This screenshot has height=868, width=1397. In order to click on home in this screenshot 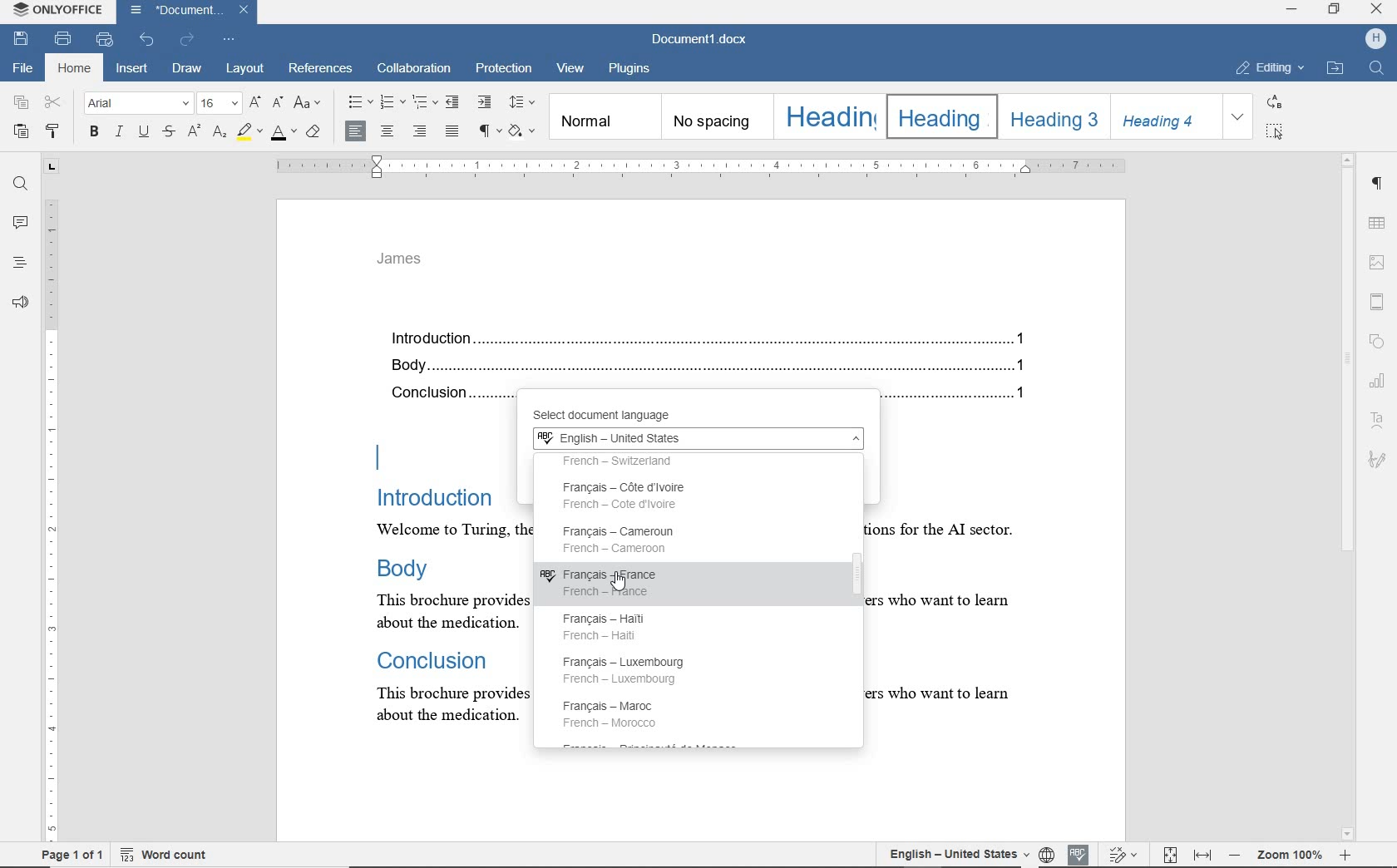, I will do `click(73, 69)`.